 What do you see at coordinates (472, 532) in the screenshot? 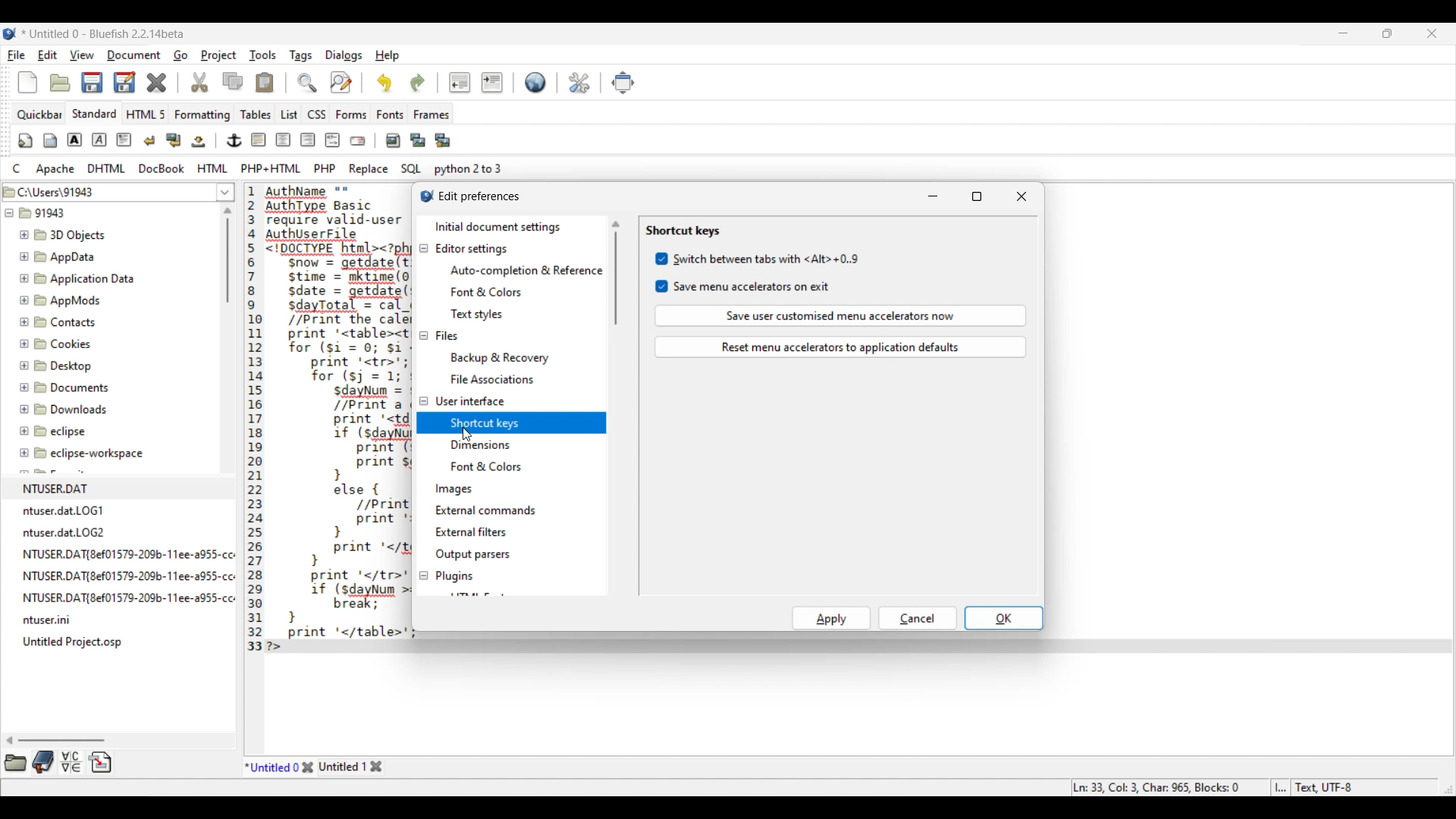
I see `External filters` at bounding box center [472, 532].